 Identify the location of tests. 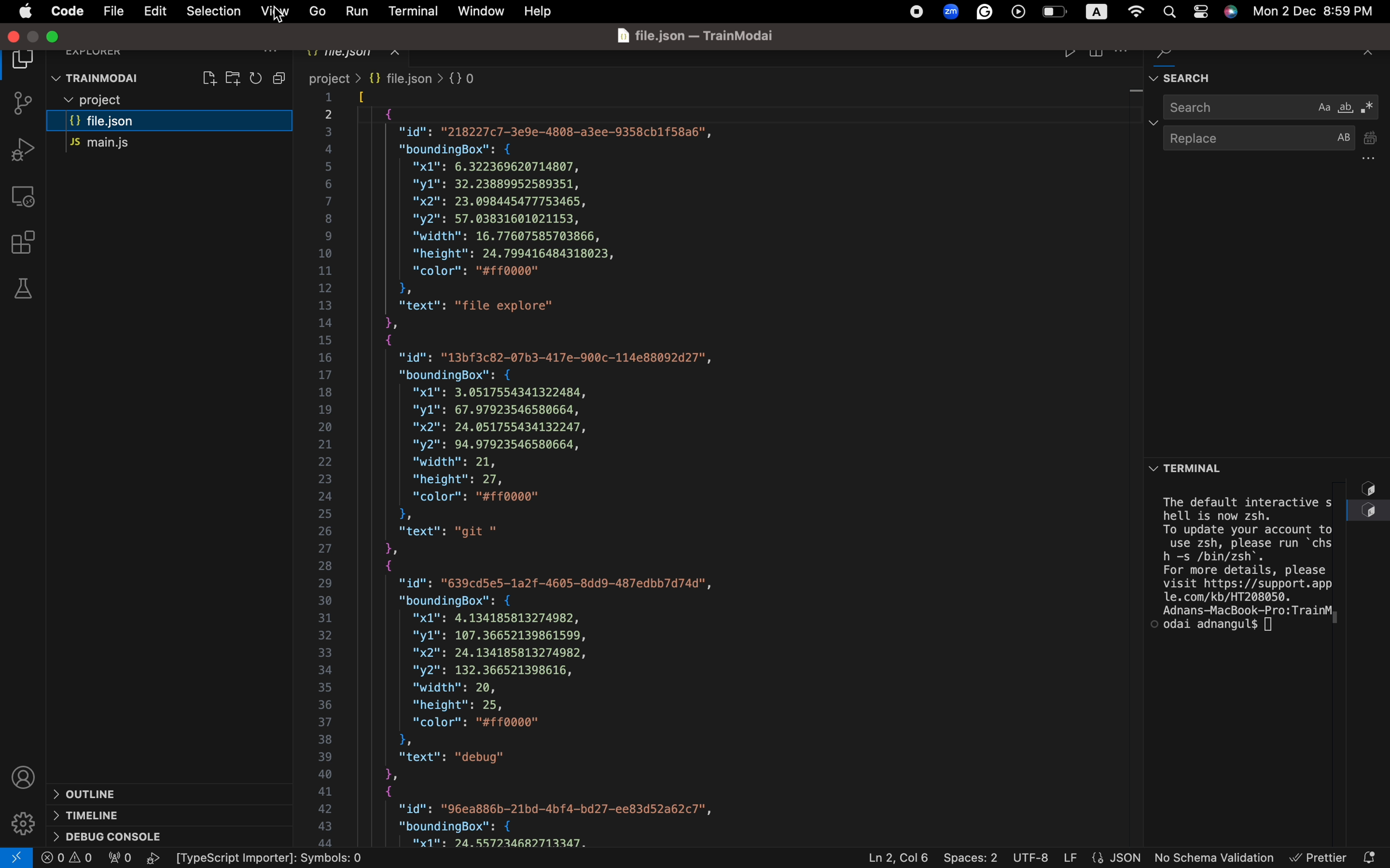
(22, 288).